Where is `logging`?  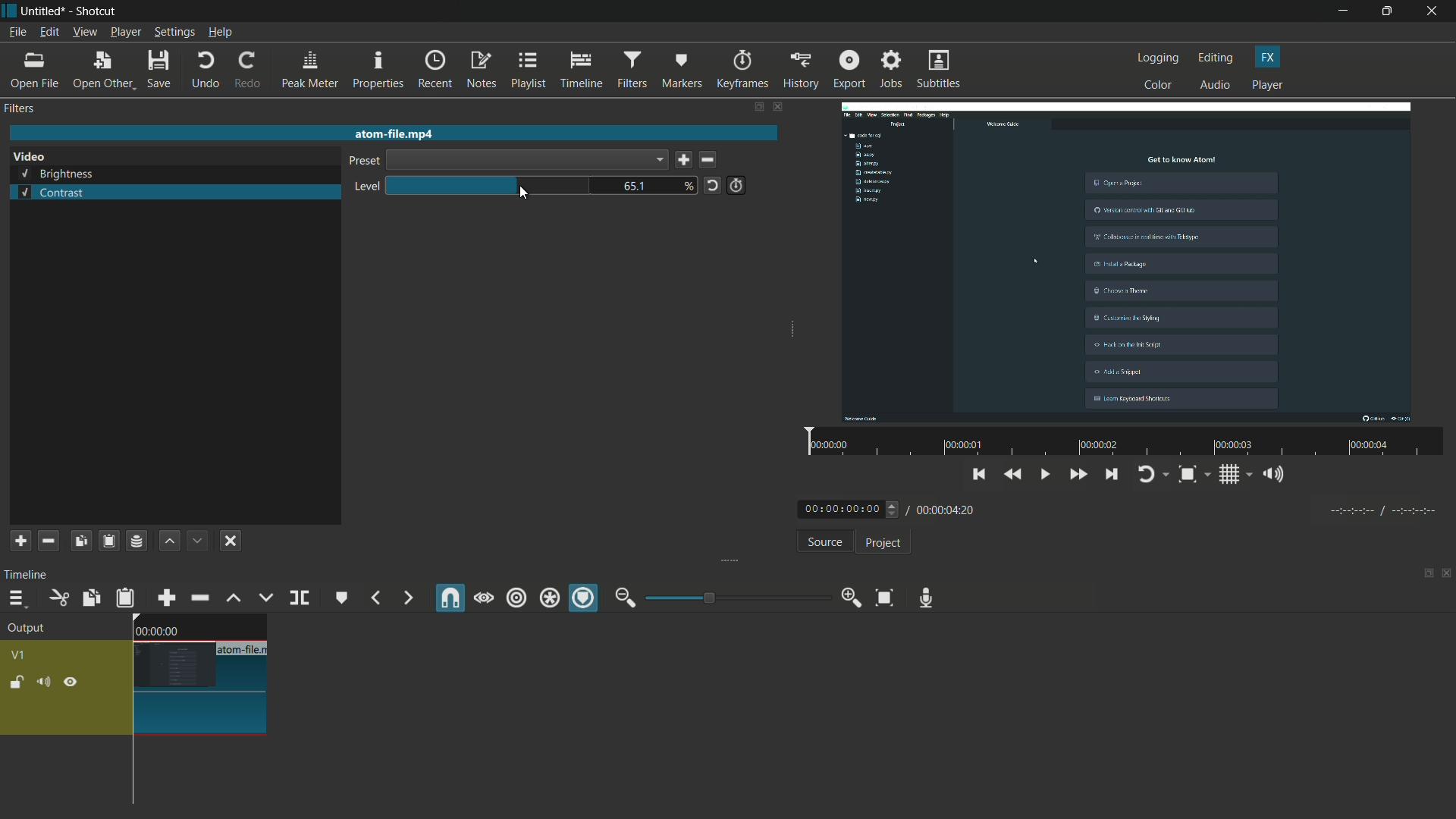
logging is located at coordinates (1159, 58).